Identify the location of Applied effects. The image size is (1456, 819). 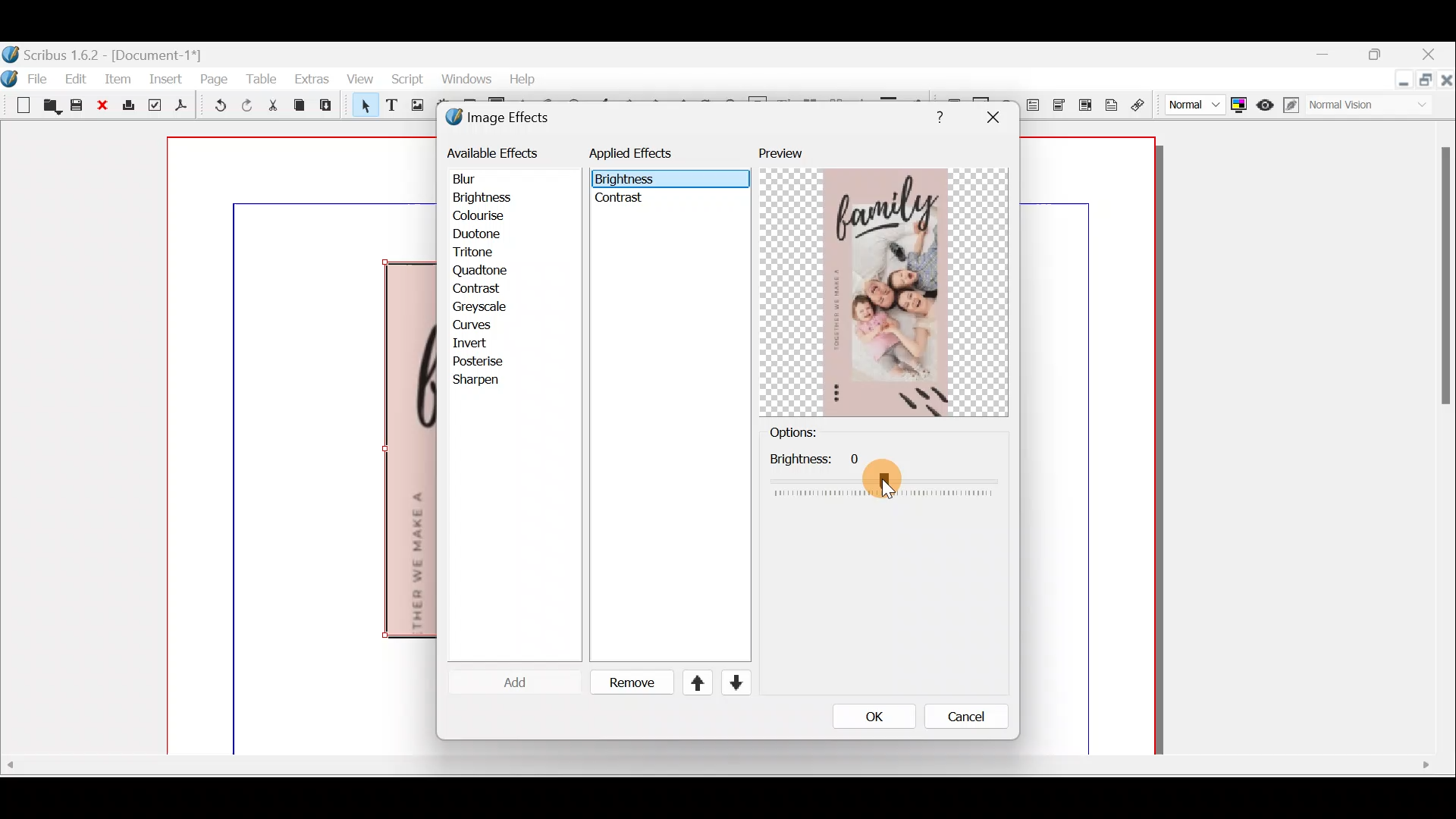
(643, 157).